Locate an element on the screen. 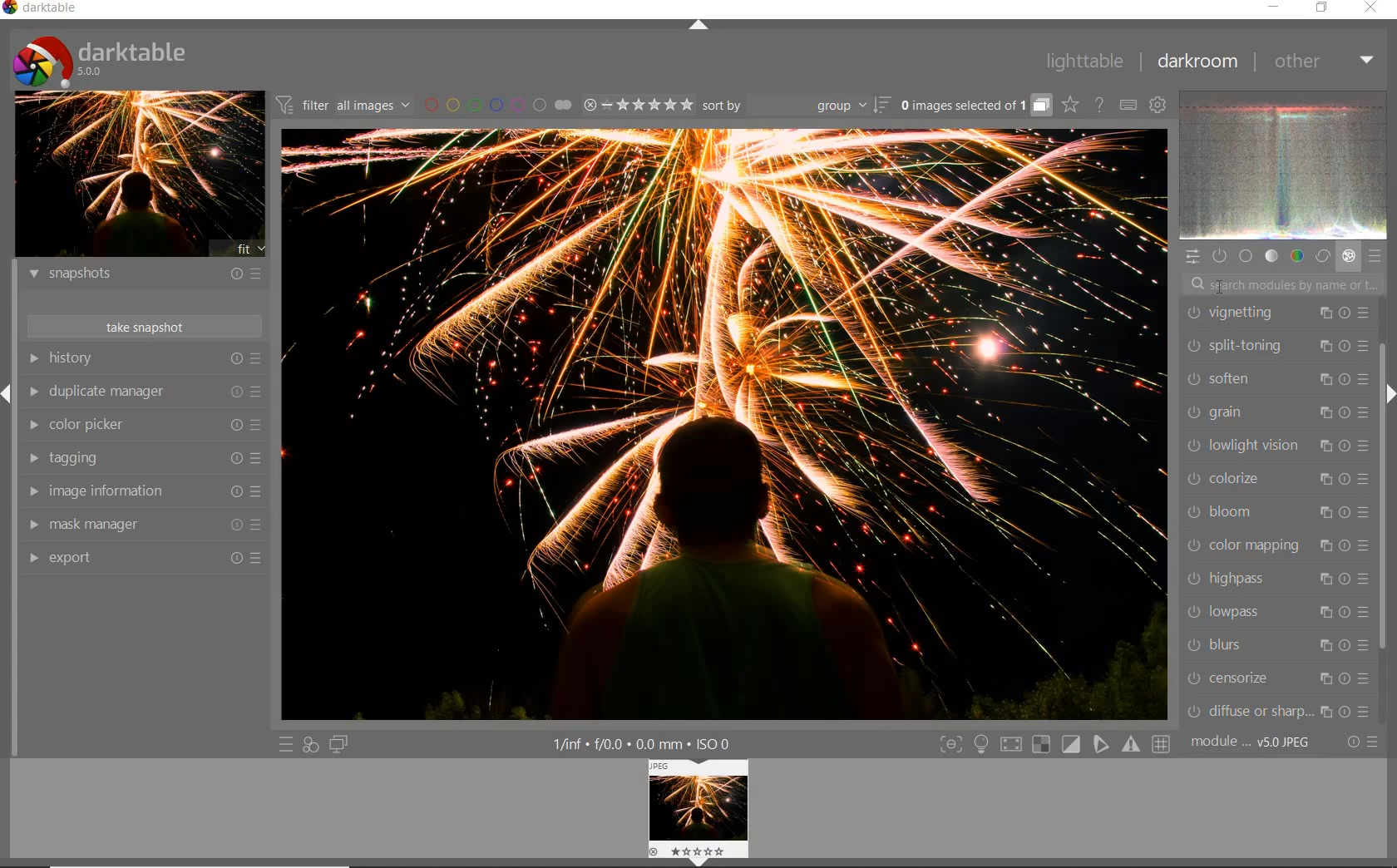  history is located at coordinates (147, 360).